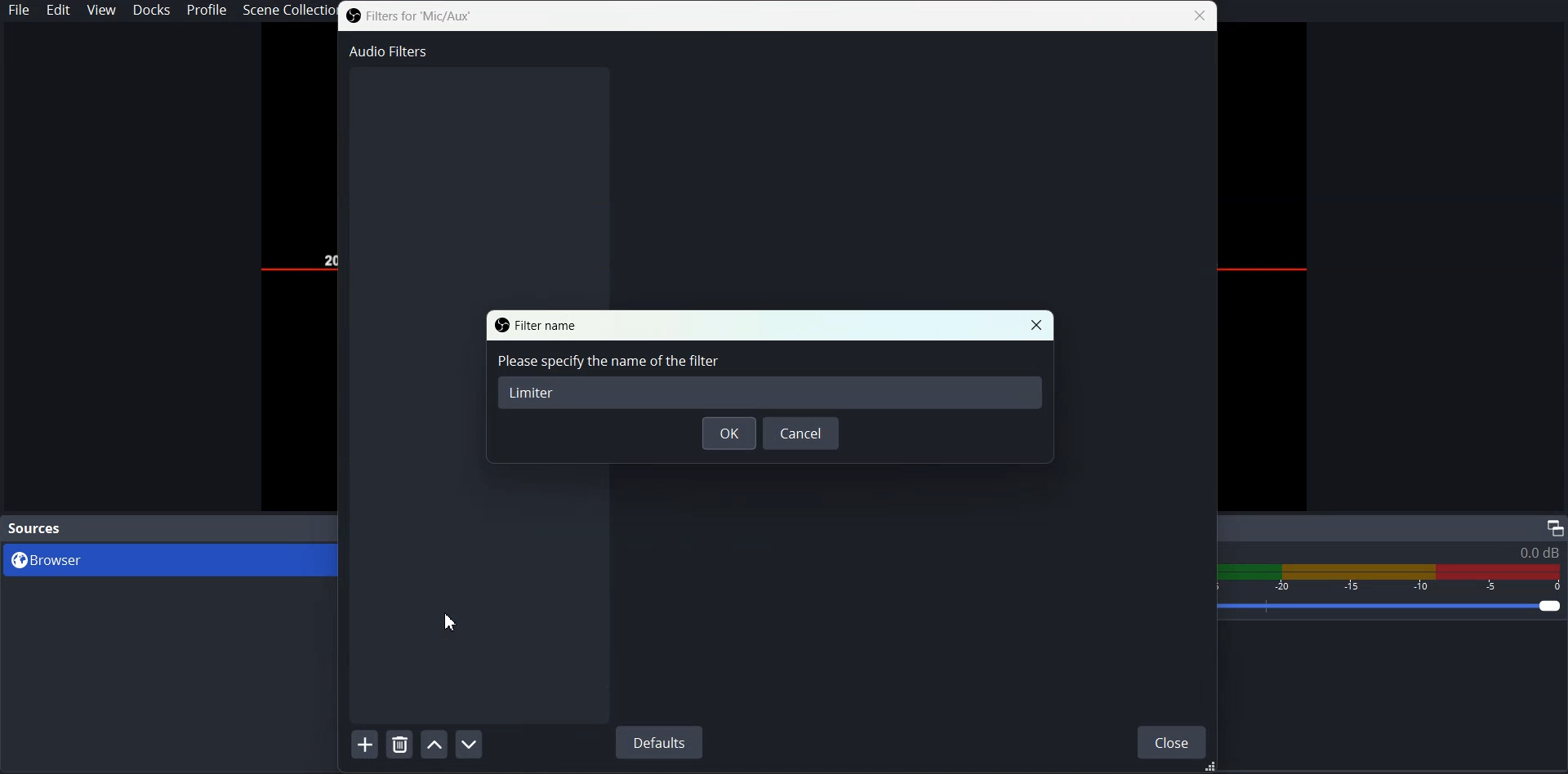  I want to click on View, so click(101, 11).